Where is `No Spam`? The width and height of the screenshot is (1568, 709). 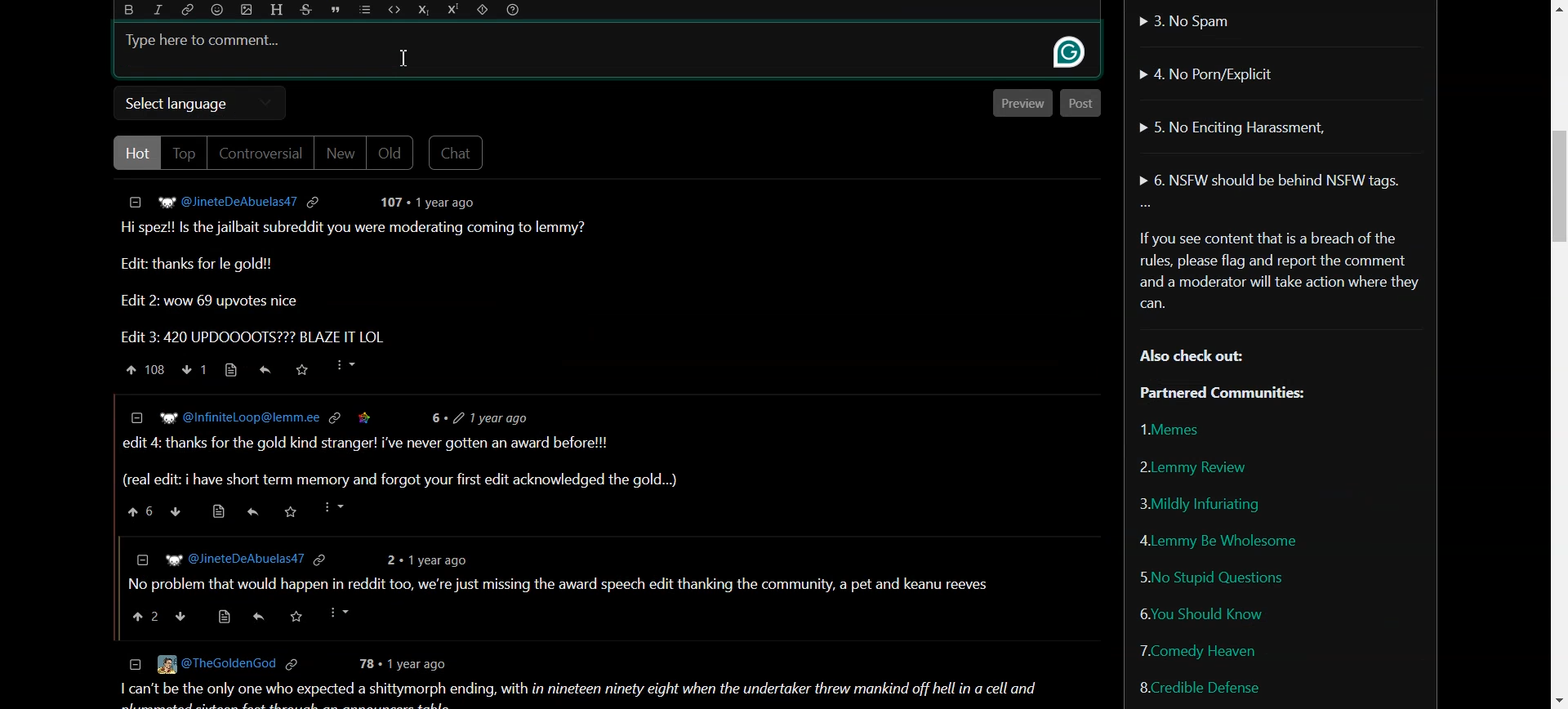
No Spam is located at coordinates (1197, 22).